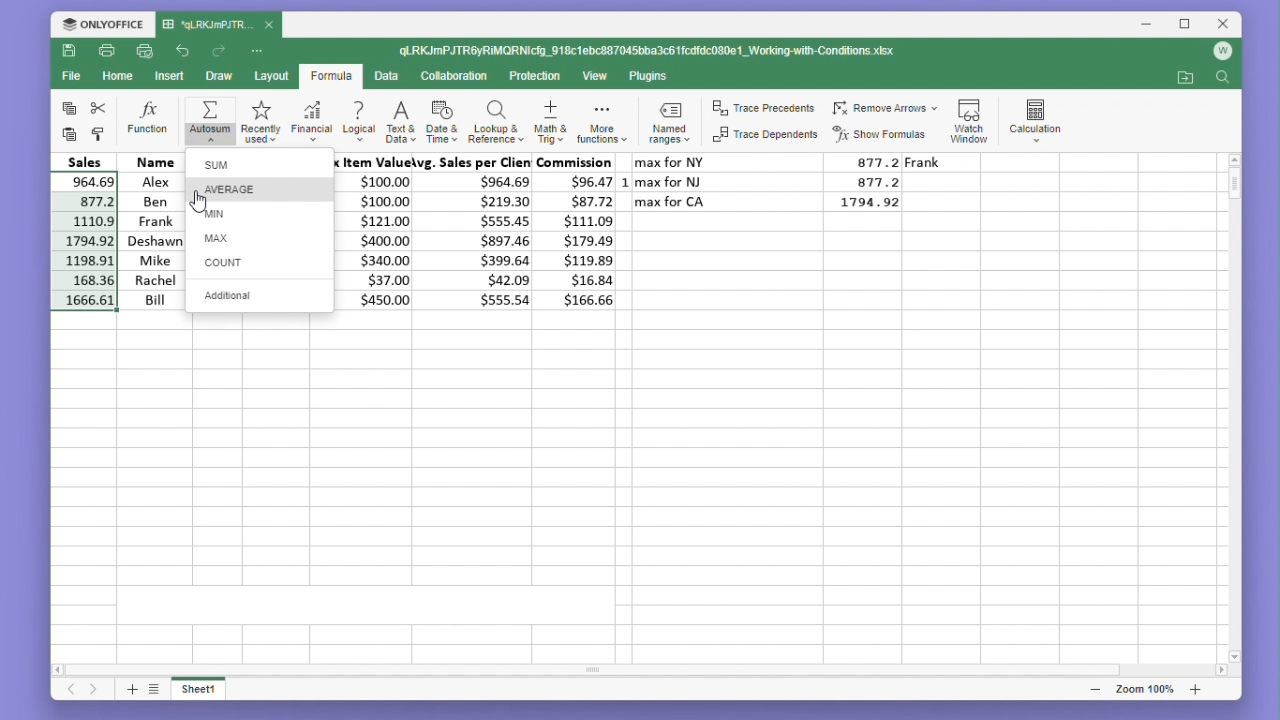 The width and height of the screenshot is (1280, 720). What do you see at coordinates (166, 76) in the screenshot?
I see `Insert` at bounding box center [166, 76].